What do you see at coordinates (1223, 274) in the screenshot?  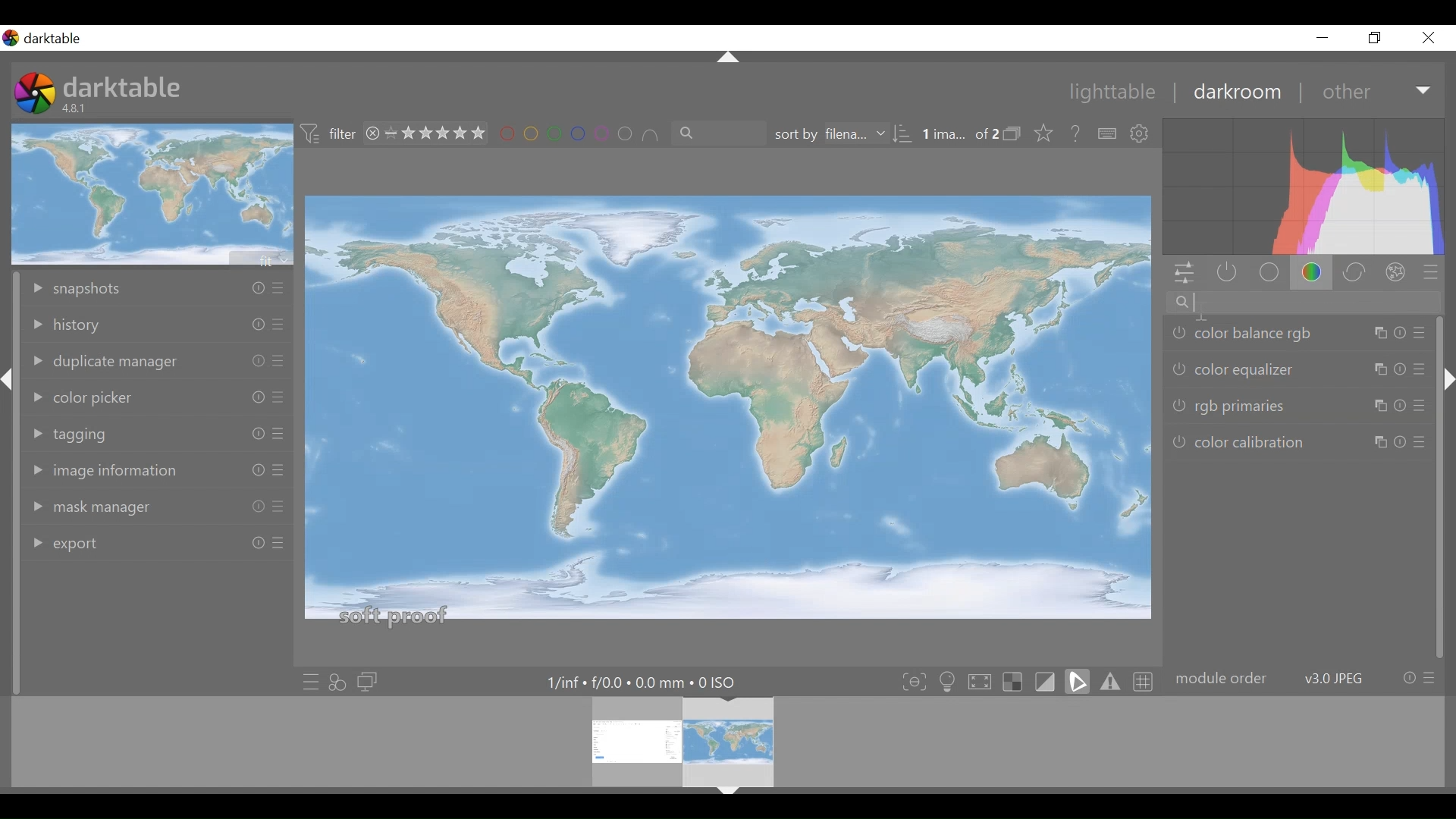 I see `show only active modules` at bounding box center [1223, 274].